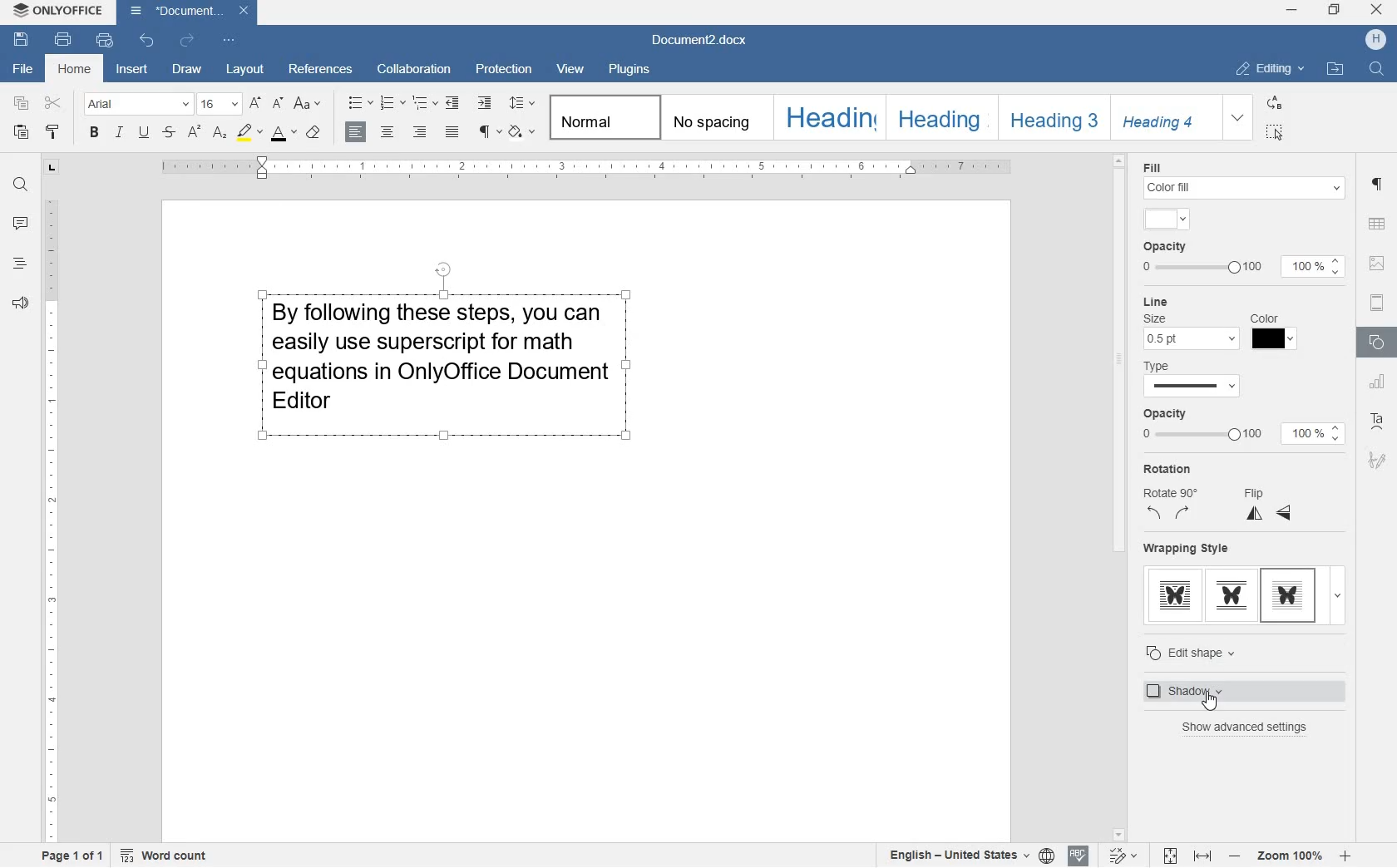 This screenshot has width=1397, height=868. What do you see at coordinates (1377, 185) in the screenshot?
I see `paragraph settings` at bounding box center [1377, 185].